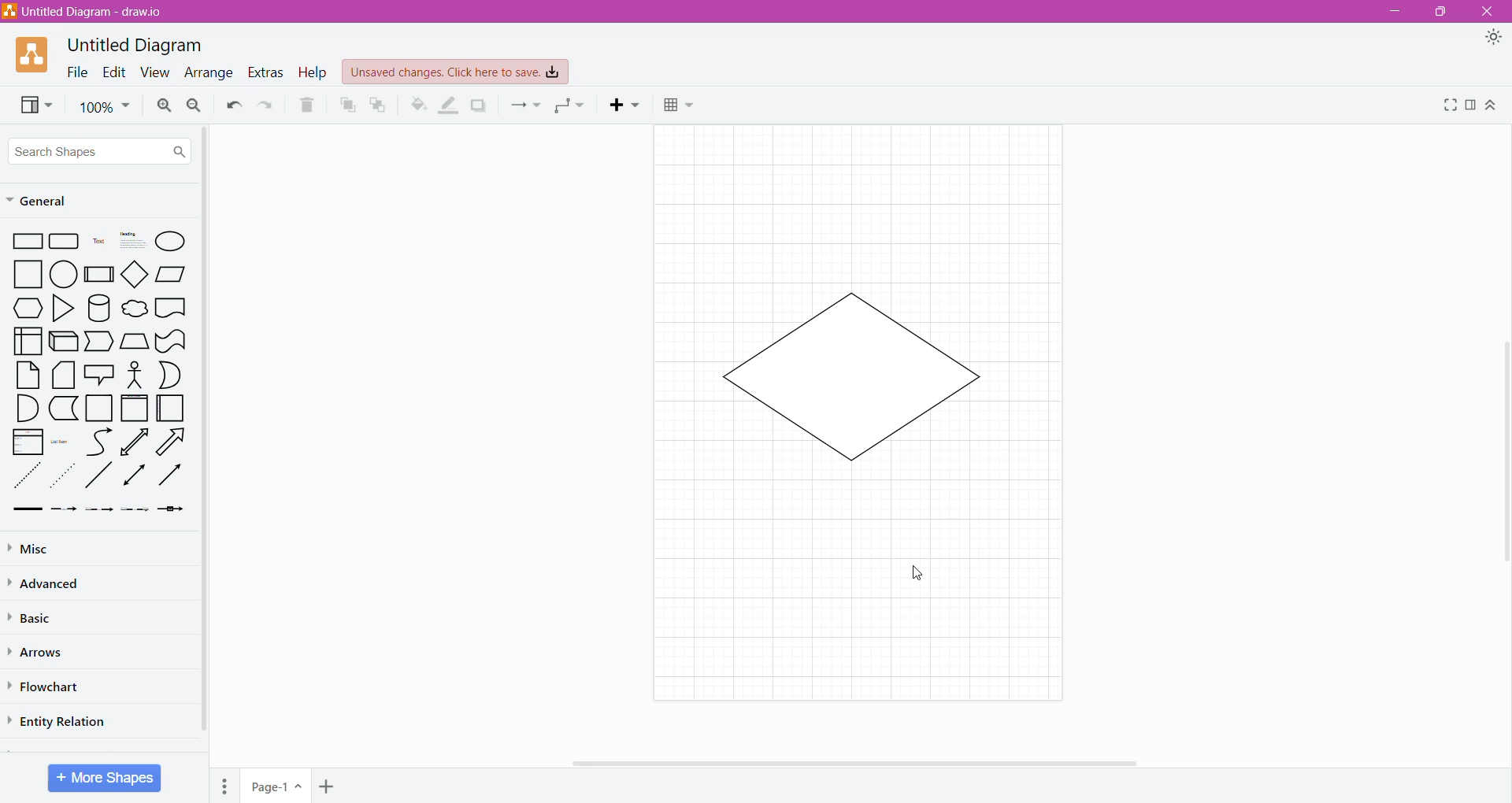 This screenshot has height=803, width=1512. I want to click on To Front, so click(345, 107).